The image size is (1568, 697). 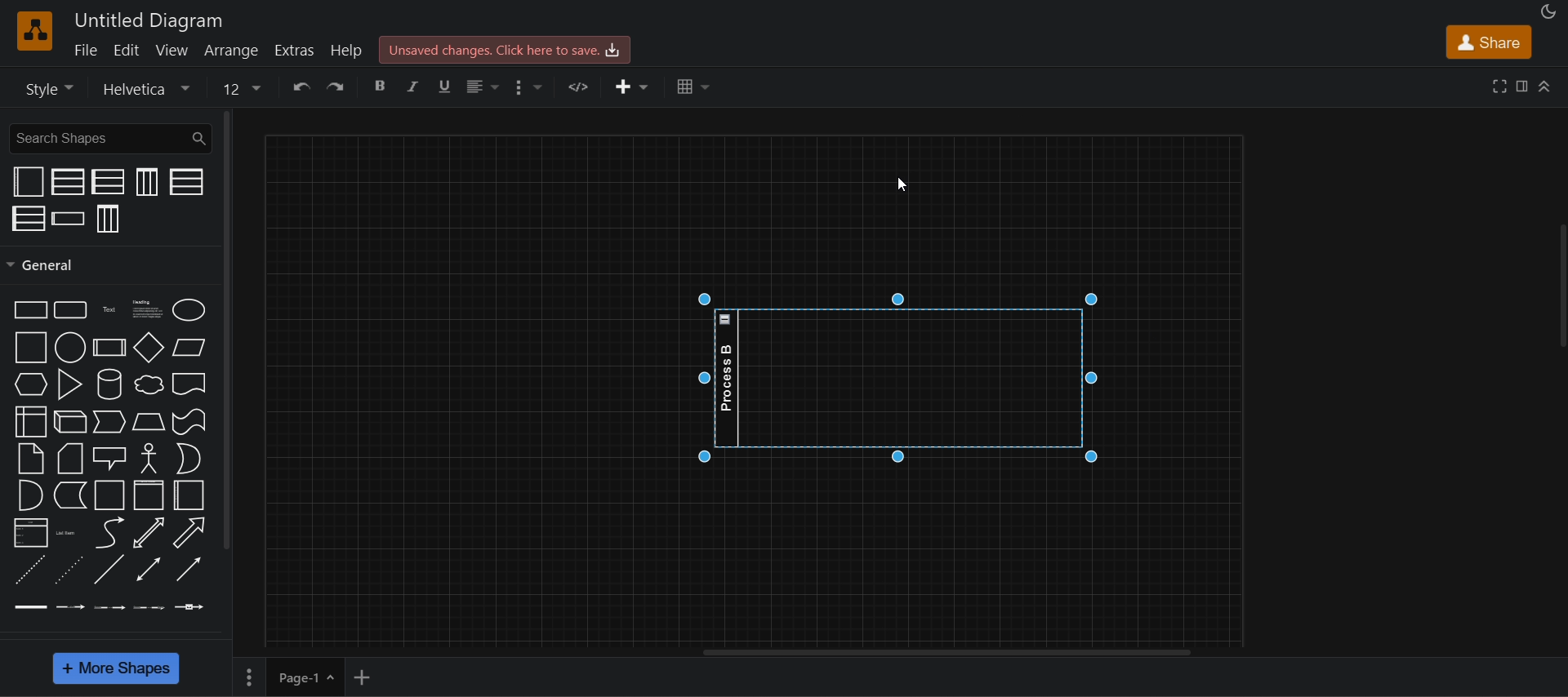 I want to click on arrow, so click(x=190, y=532).